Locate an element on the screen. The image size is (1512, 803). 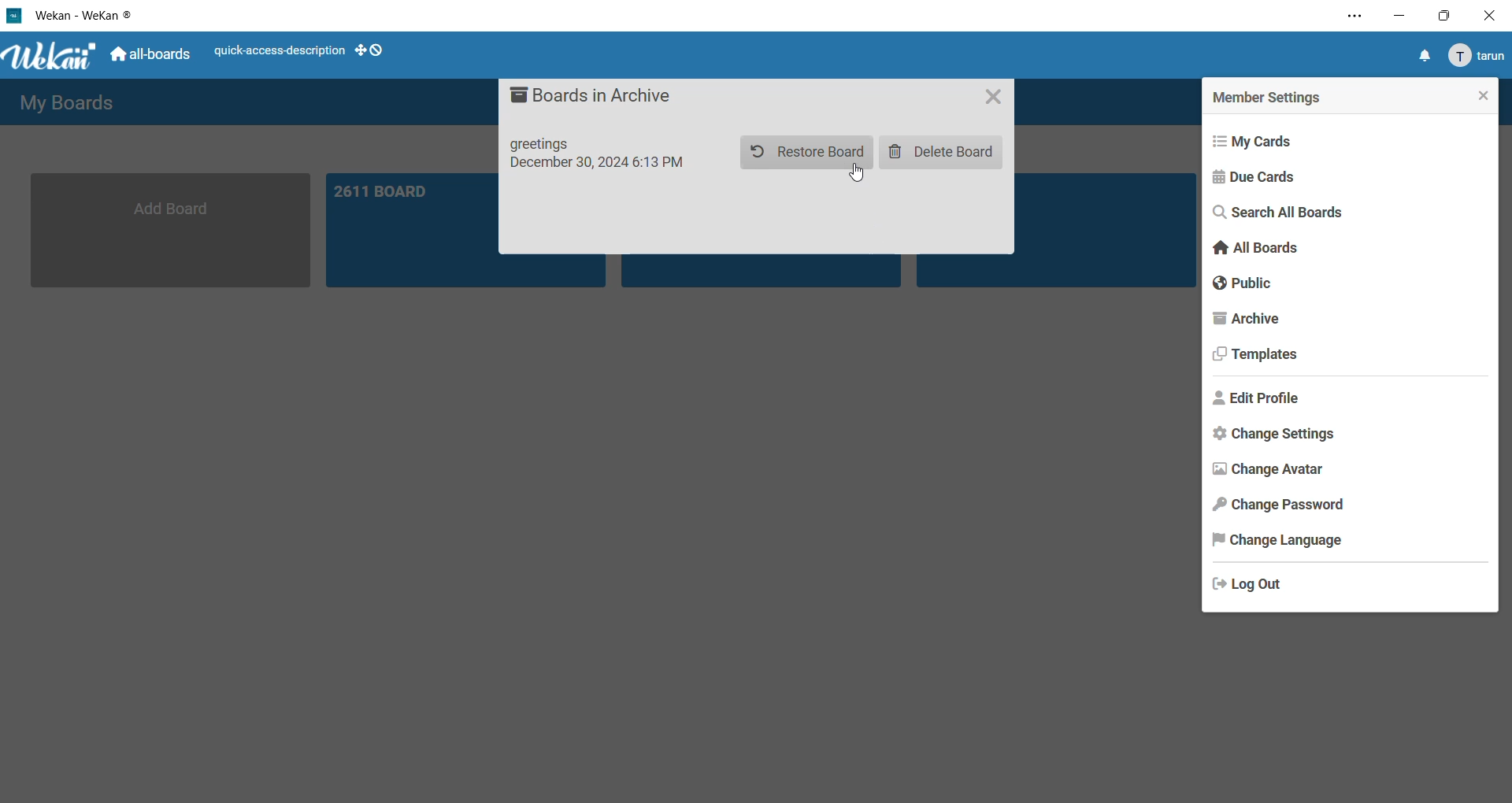
add board is located at coordinates (174, 229).